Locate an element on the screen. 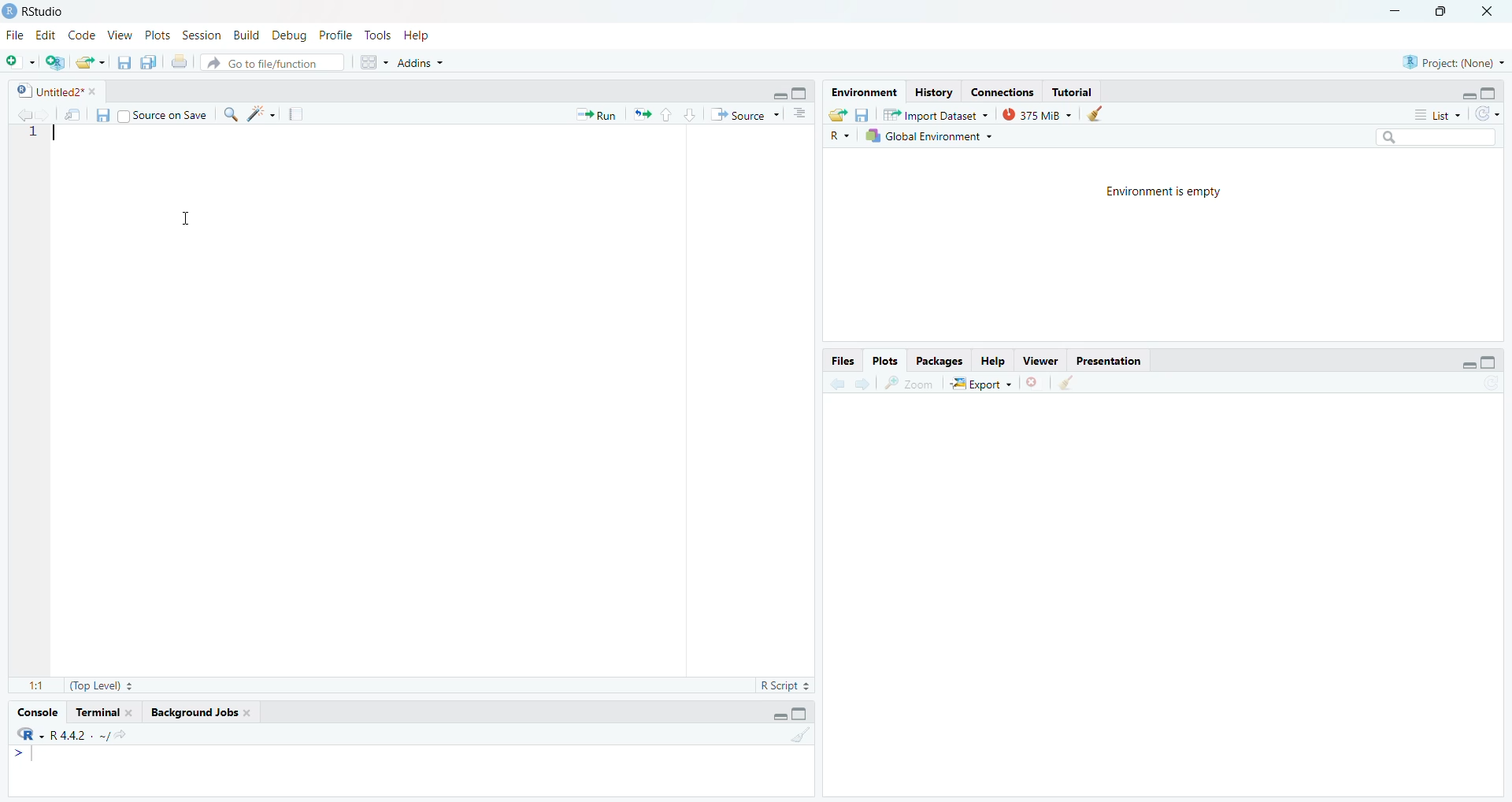 The width and height of the screenshot is (1512, 802). source on save is located at coordinates (166, 117).